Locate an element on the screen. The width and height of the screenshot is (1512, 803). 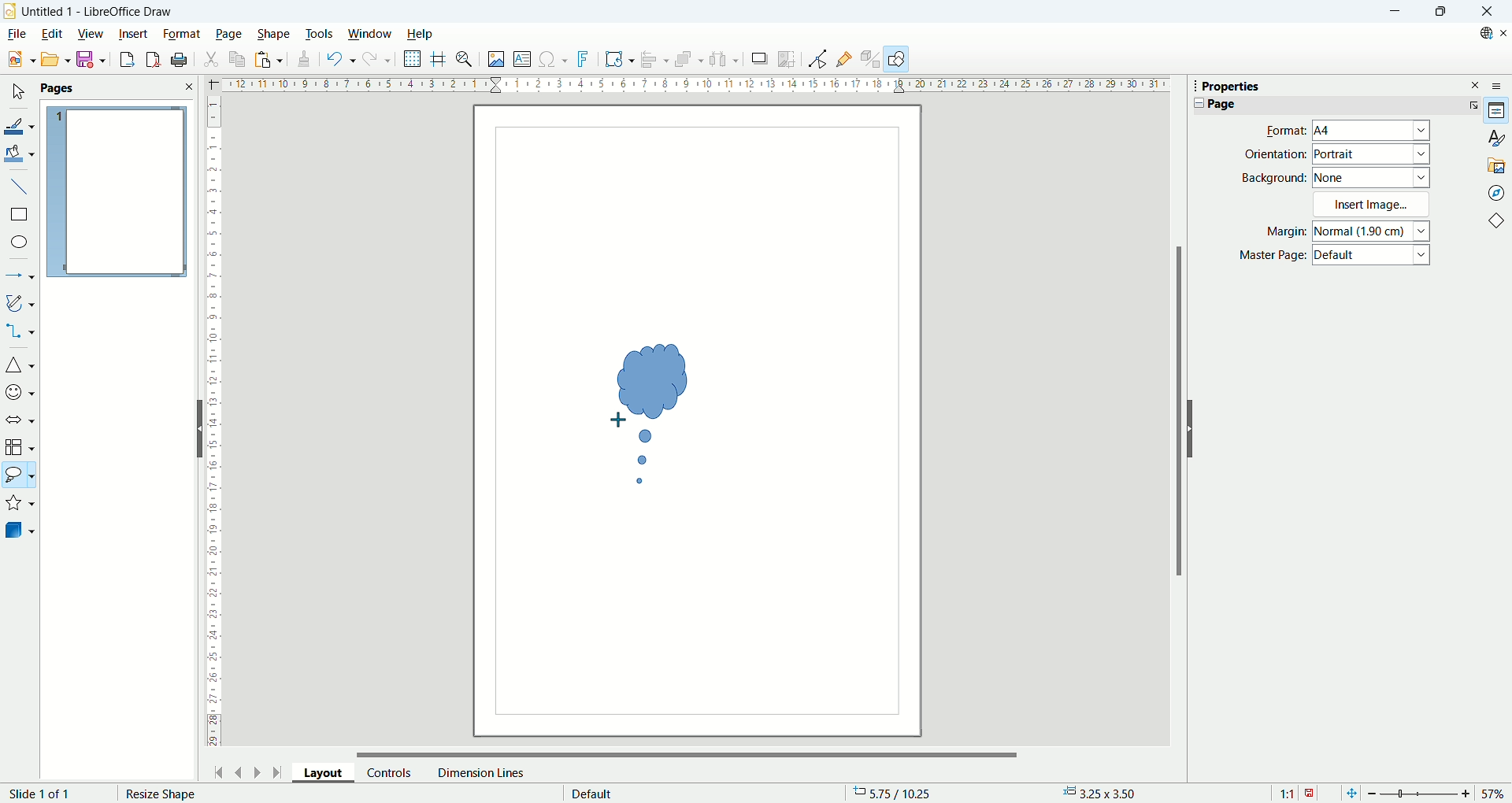
Callout shape is located at coordinates (651, 414).